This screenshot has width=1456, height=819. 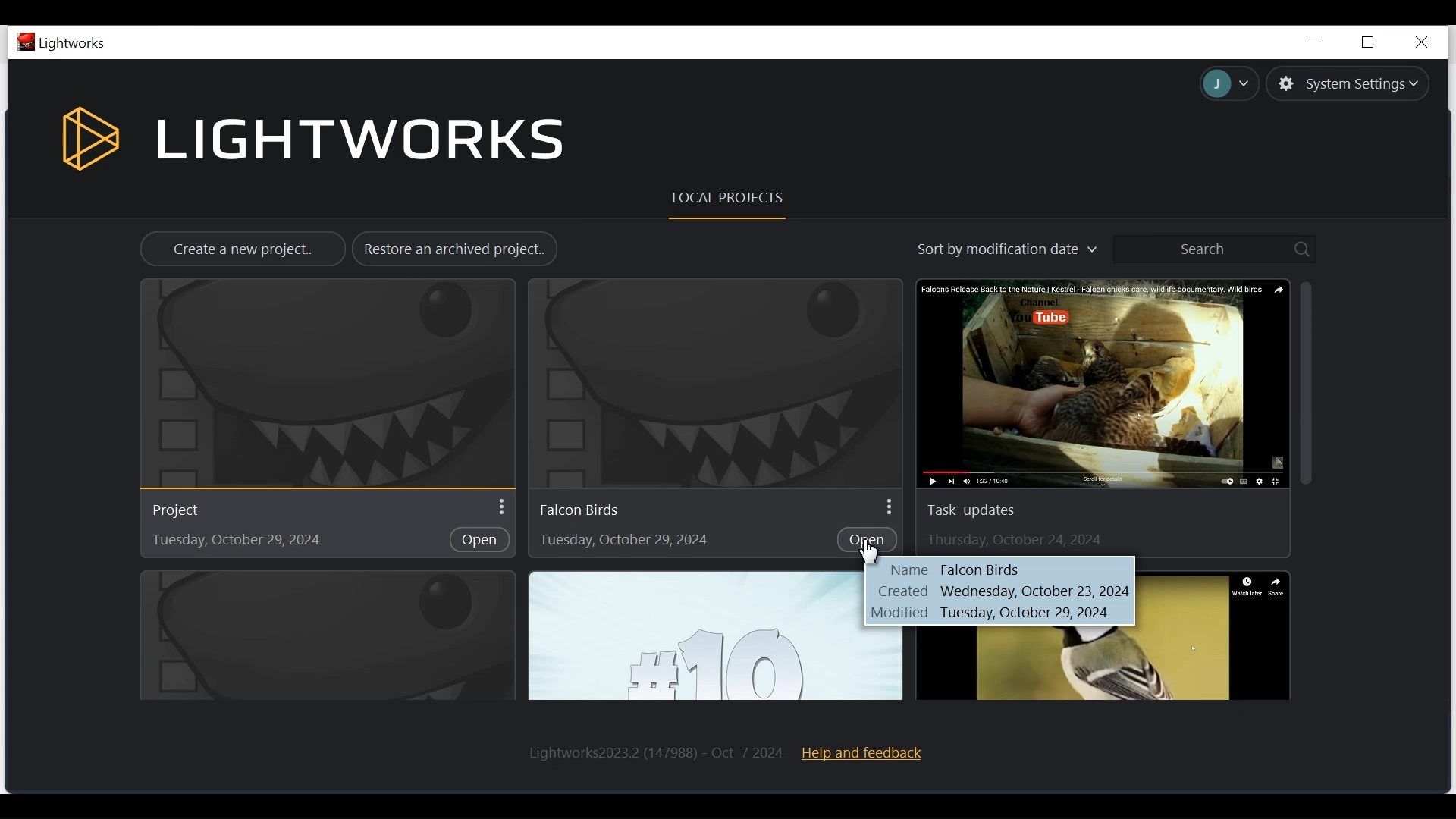 I want to click on Thursday, so click(x=1016, y=541).